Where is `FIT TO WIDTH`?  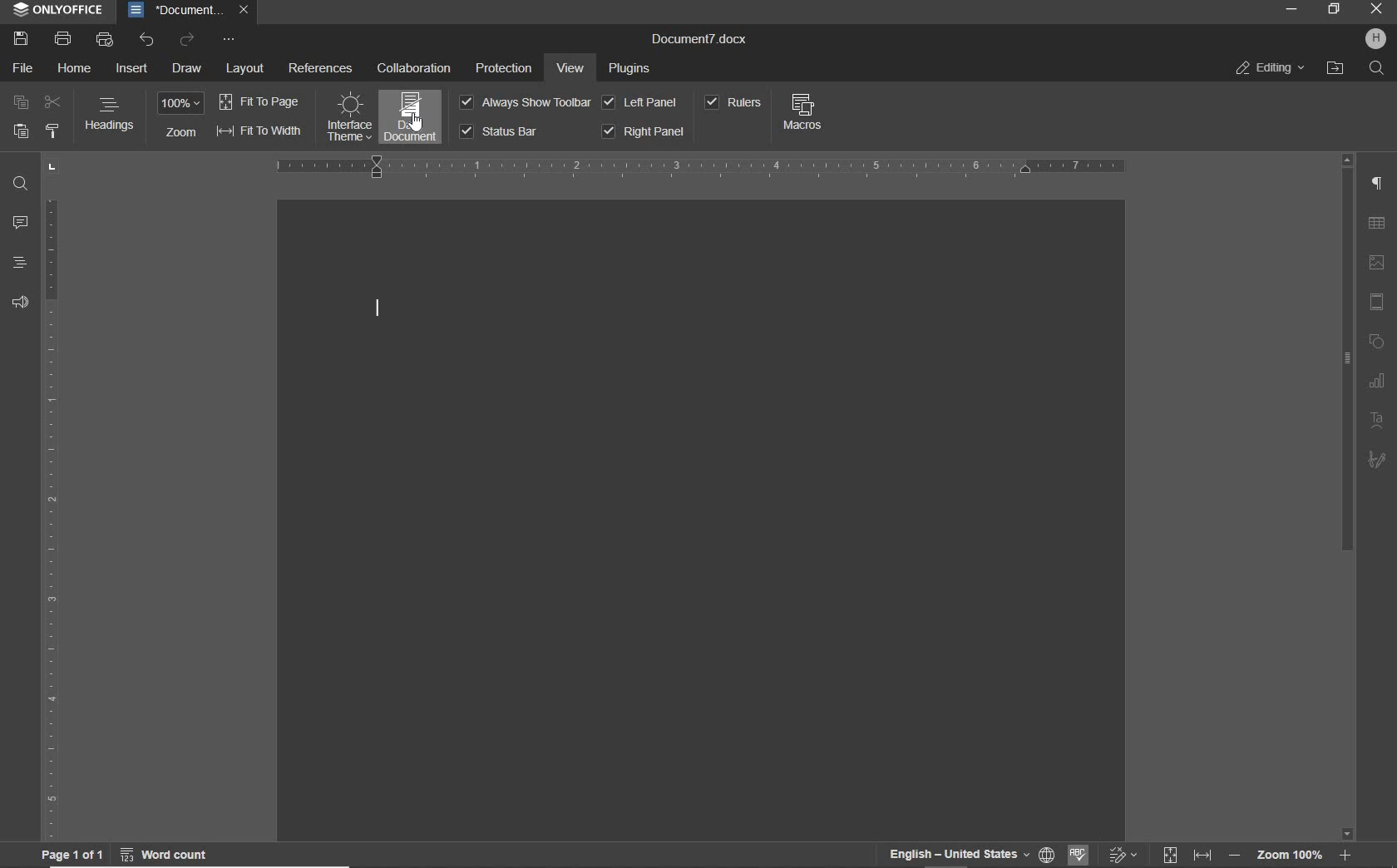 FIT TO WIDTH is located at coordinates (1203, 853).